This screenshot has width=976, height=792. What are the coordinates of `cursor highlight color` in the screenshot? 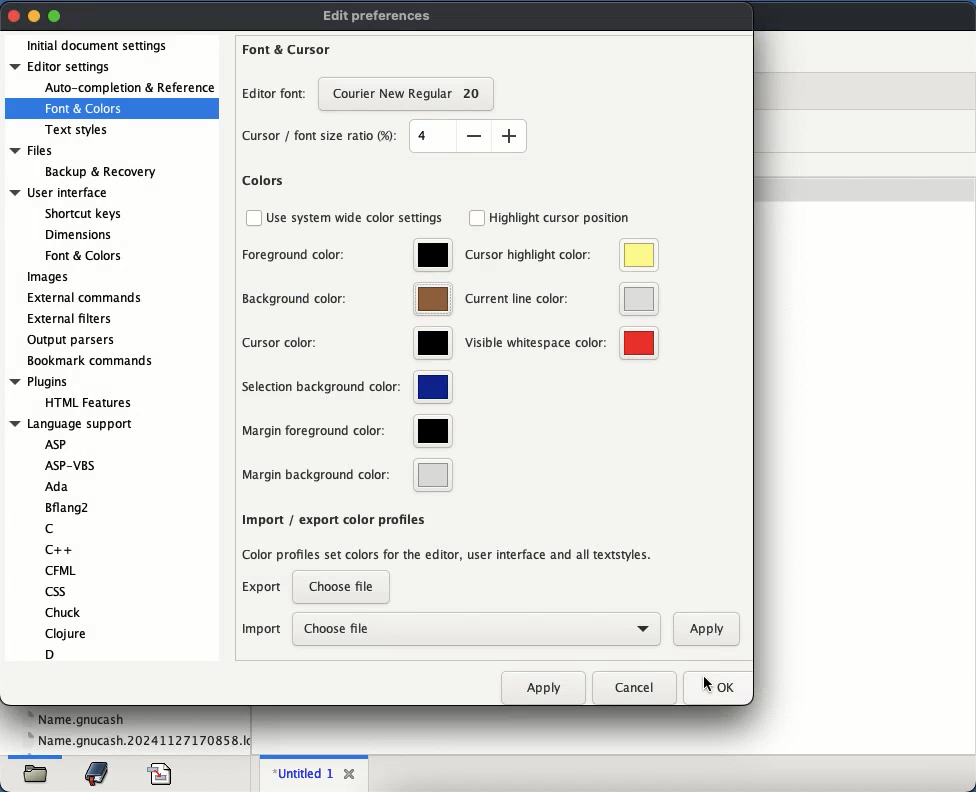 It's located at (563, 255).